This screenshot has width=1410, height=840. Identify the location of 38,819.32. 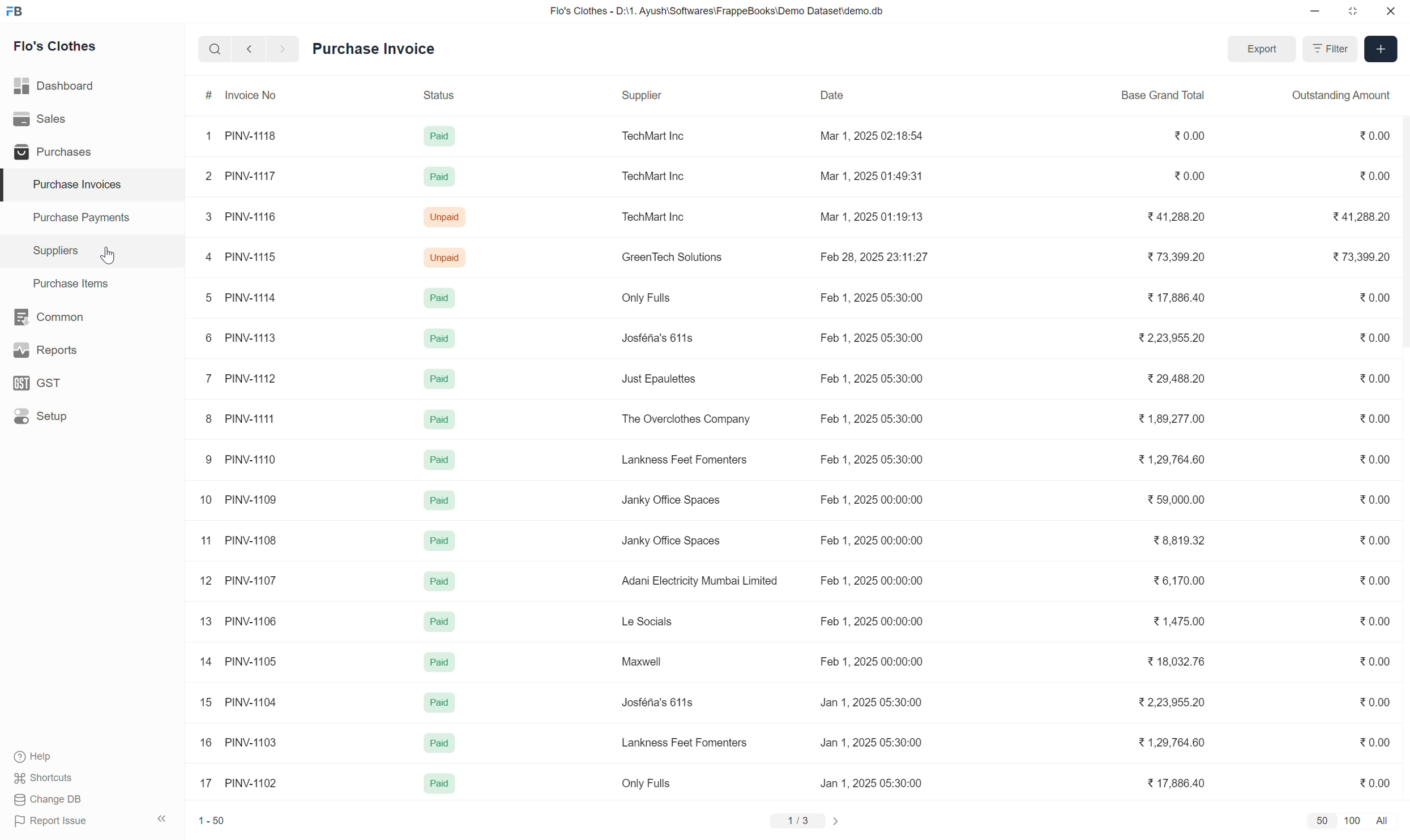
(1183, 541).